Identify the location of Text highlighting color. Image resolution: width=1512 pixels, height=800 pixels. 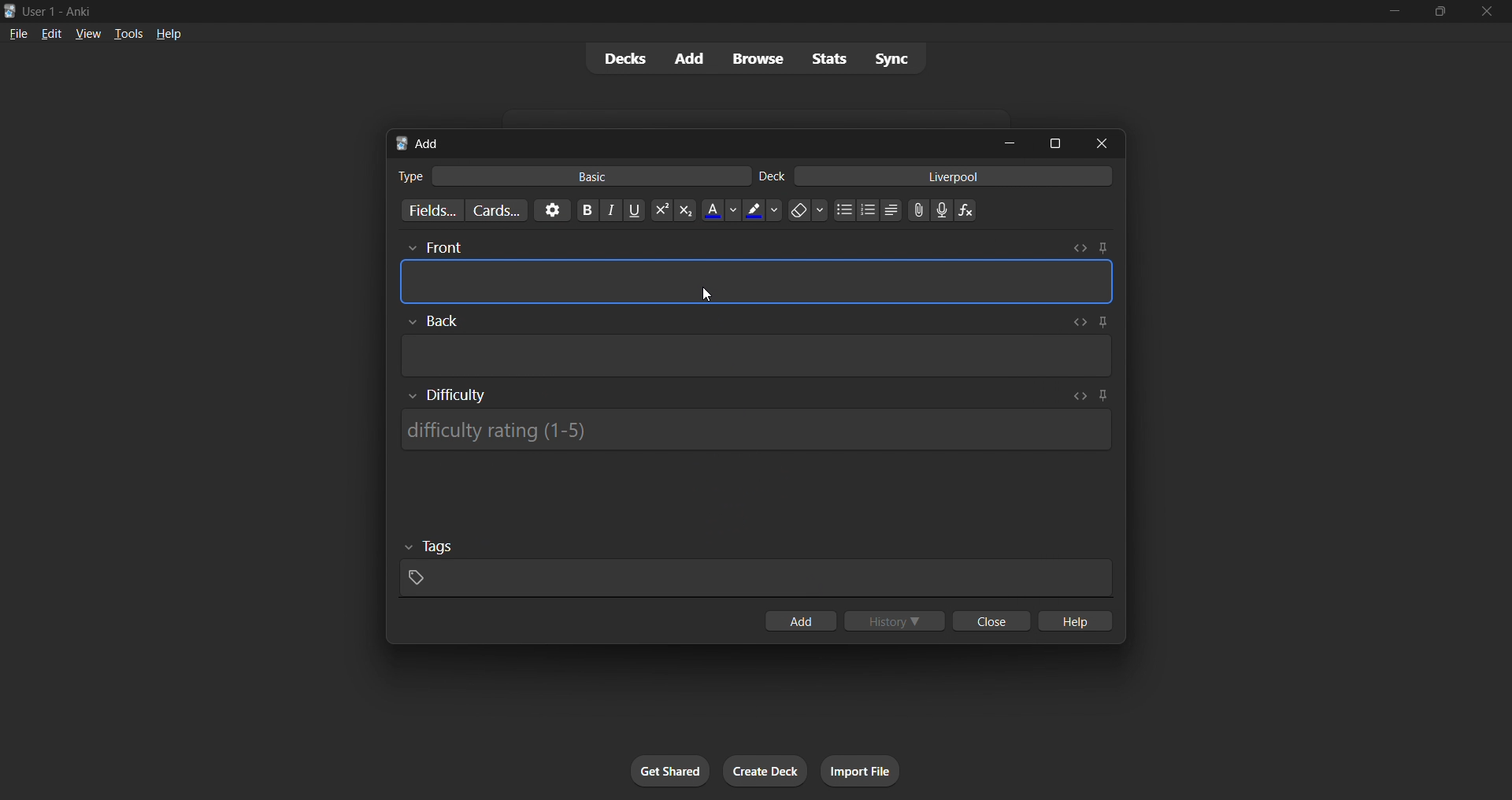
(762, 210).